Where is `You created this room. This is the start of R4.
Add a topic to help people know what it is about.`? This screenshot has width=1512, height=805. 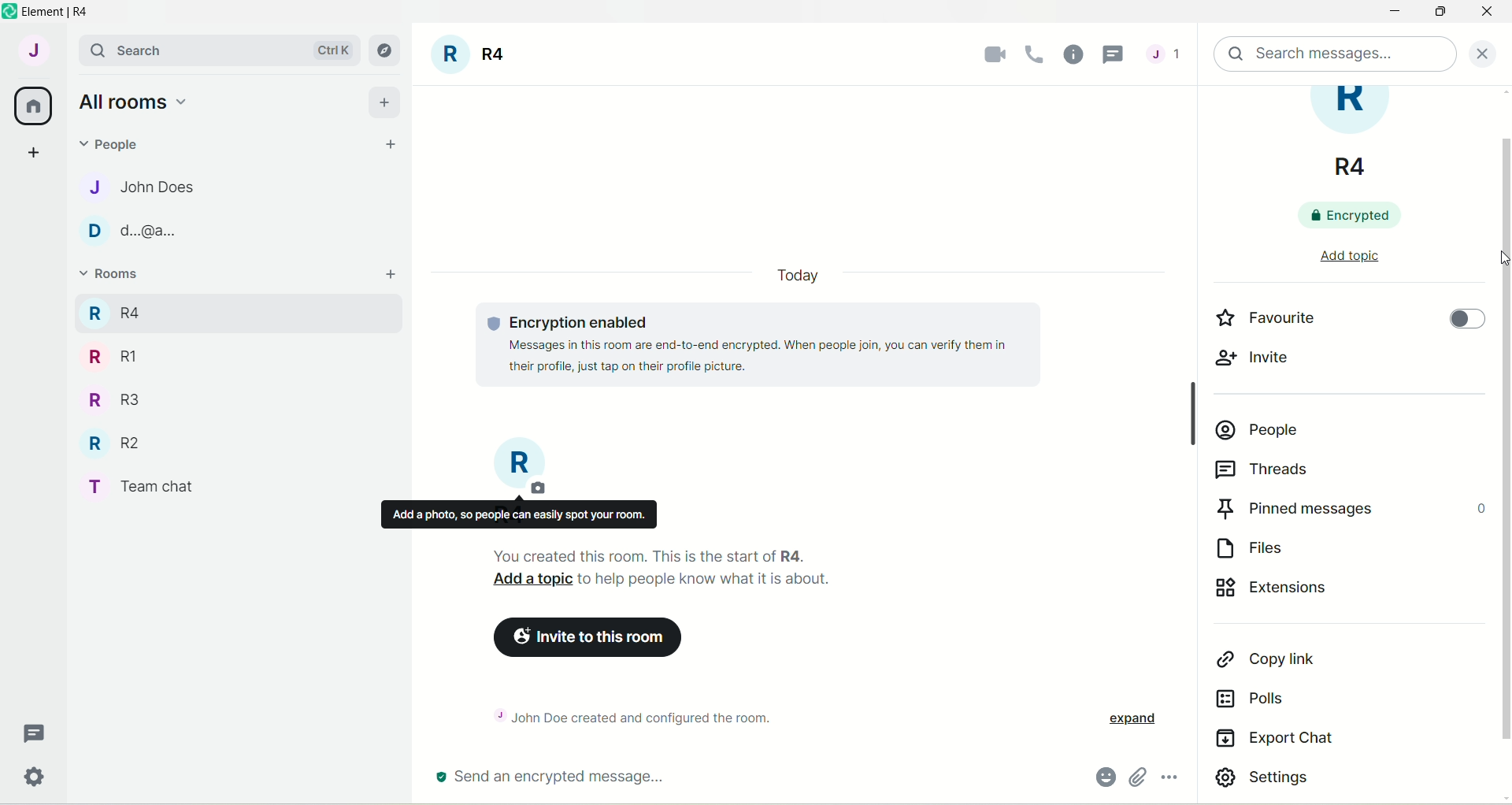 You created this room. This is the start of R4.
Add a topic to help people know what it is about. is located at coordinates (713, 569).